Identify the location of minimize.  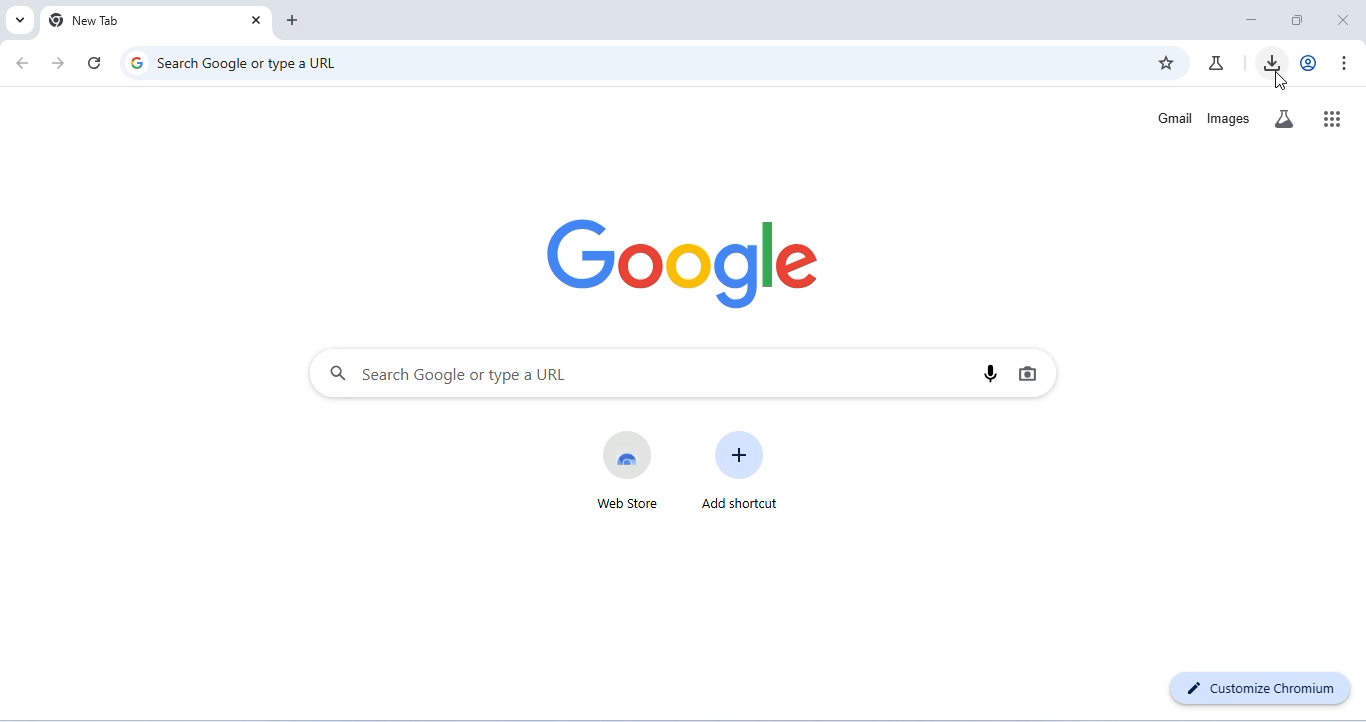
(1252, 22).